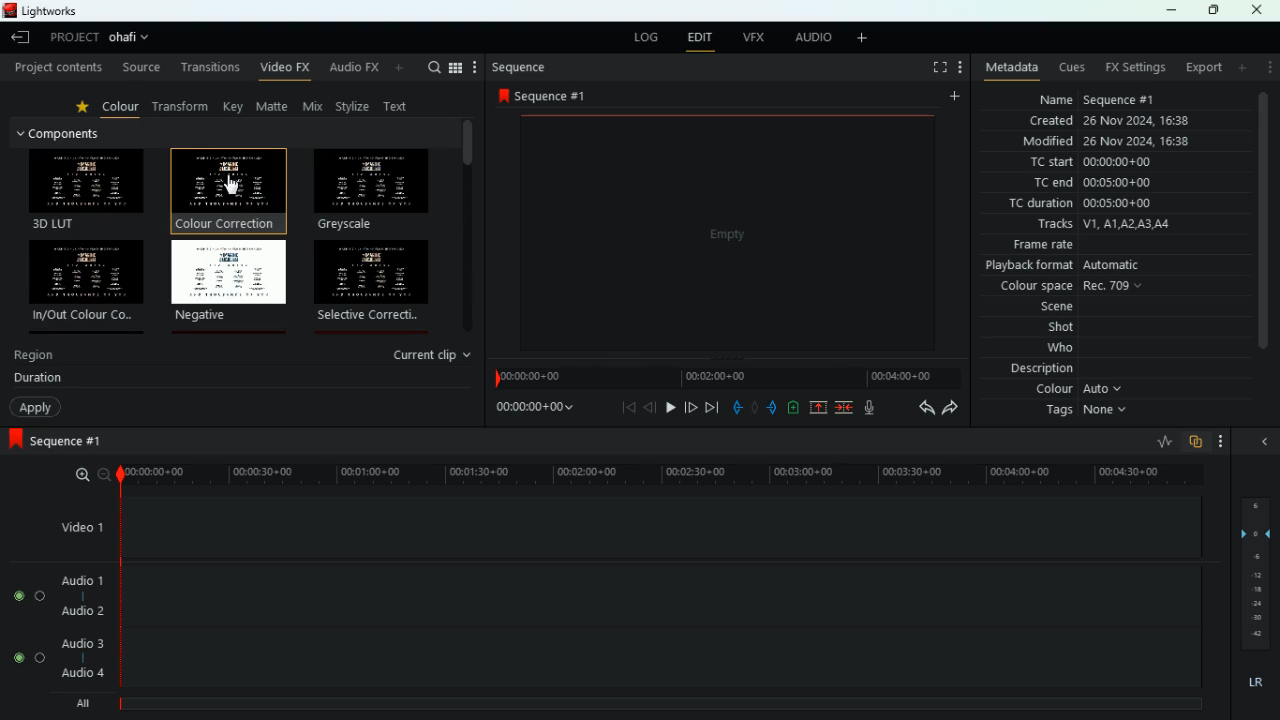 Image resolution: width=1280 pixels, height=720 pixels. I want to click on tc start, so click(1109, 163).